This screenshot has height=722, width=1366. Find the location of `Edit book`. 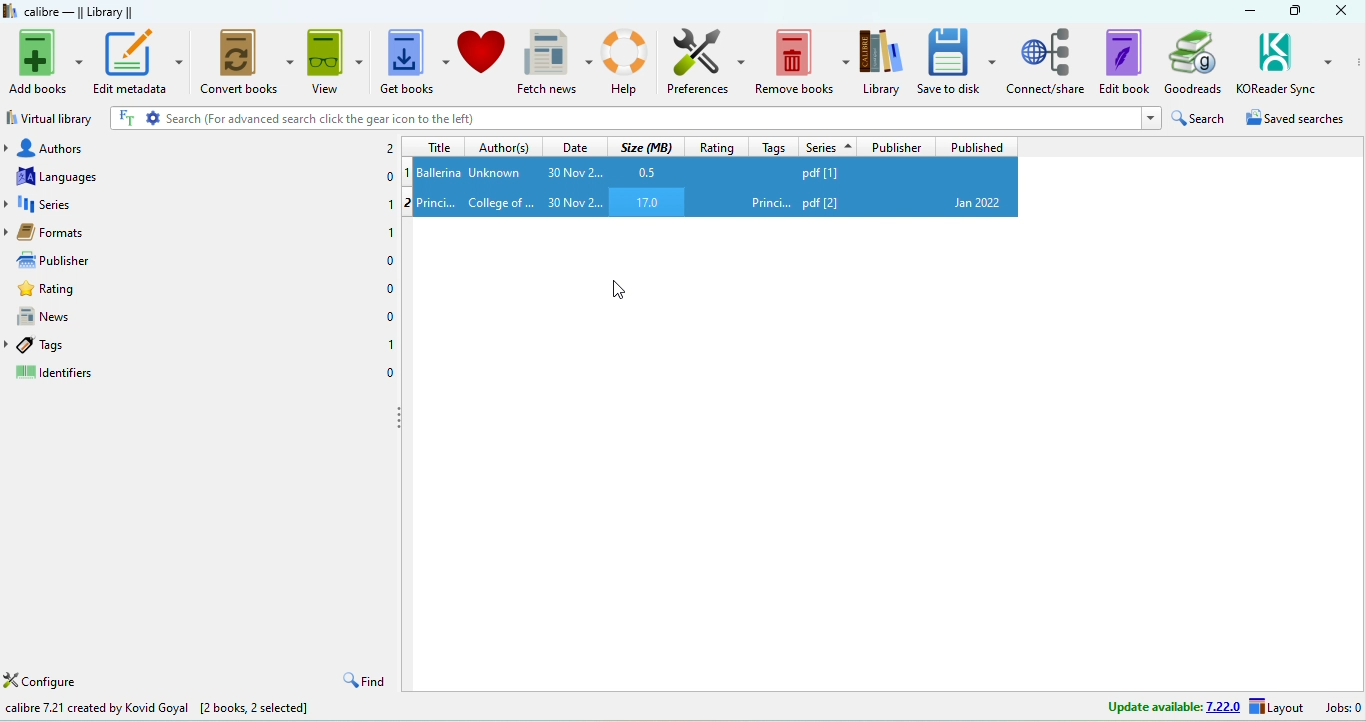

Edit book is located at coordinates (1124, 61).